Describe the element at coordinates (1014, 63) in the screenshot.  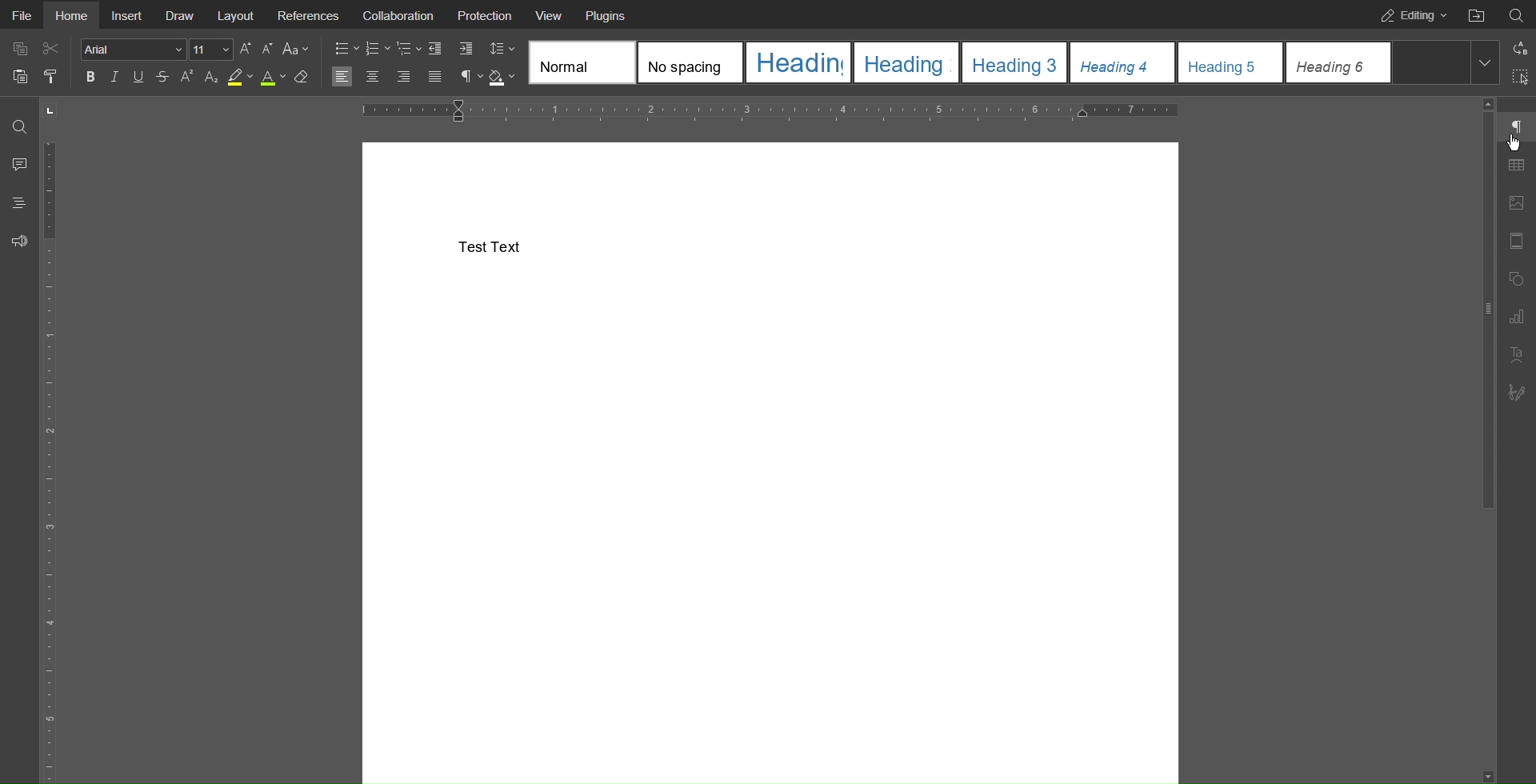
I see `Headings Templates` at that location.